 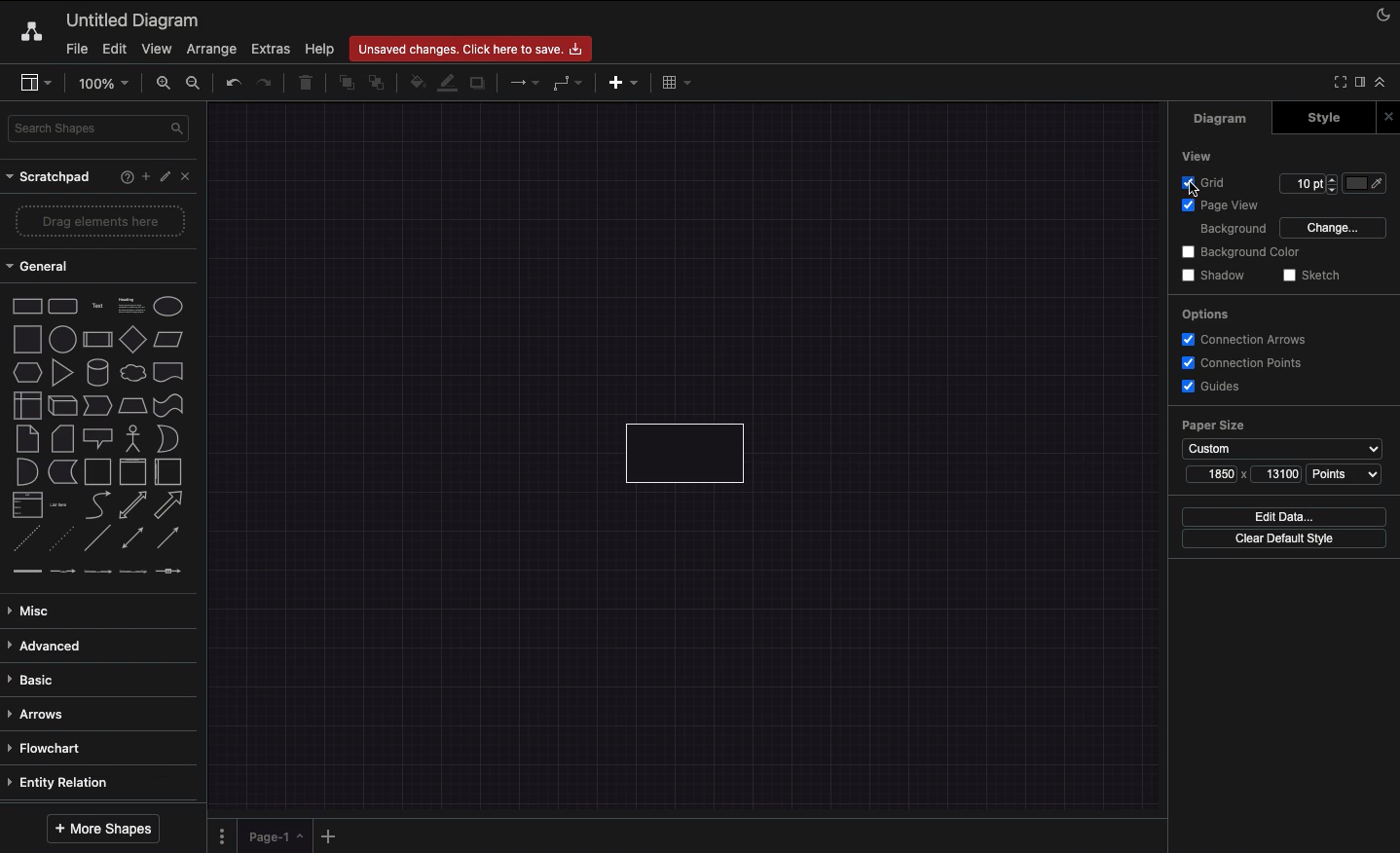 What do you see at coordinates (1382, 82) in the screenshot?
I see `Collapse` at bounding box center [1382, 82].